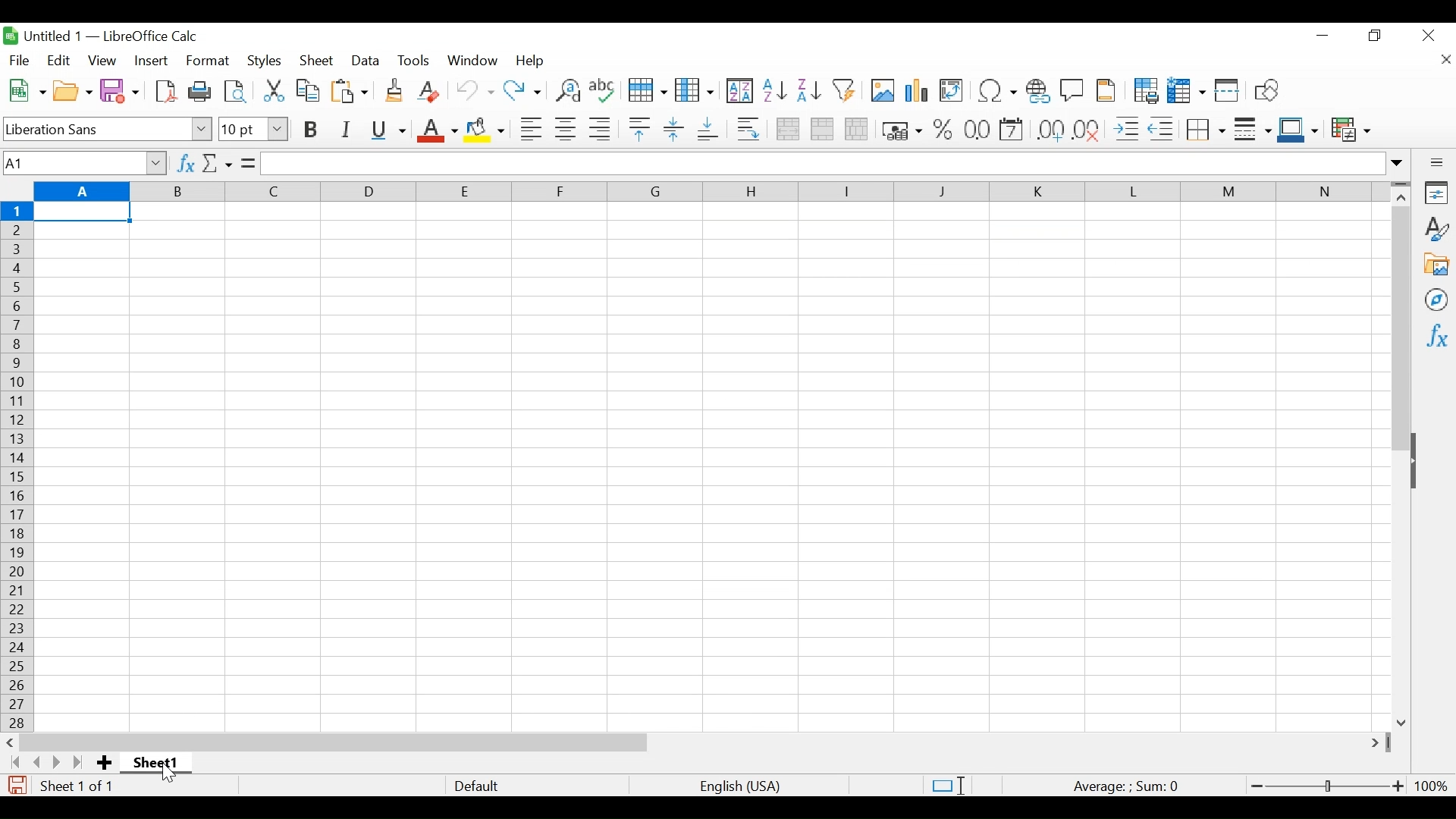 The image size is (1456, 819). Describe the element at coordinates (1298, 130) in the screenshot. I see `Border Color` at that location.